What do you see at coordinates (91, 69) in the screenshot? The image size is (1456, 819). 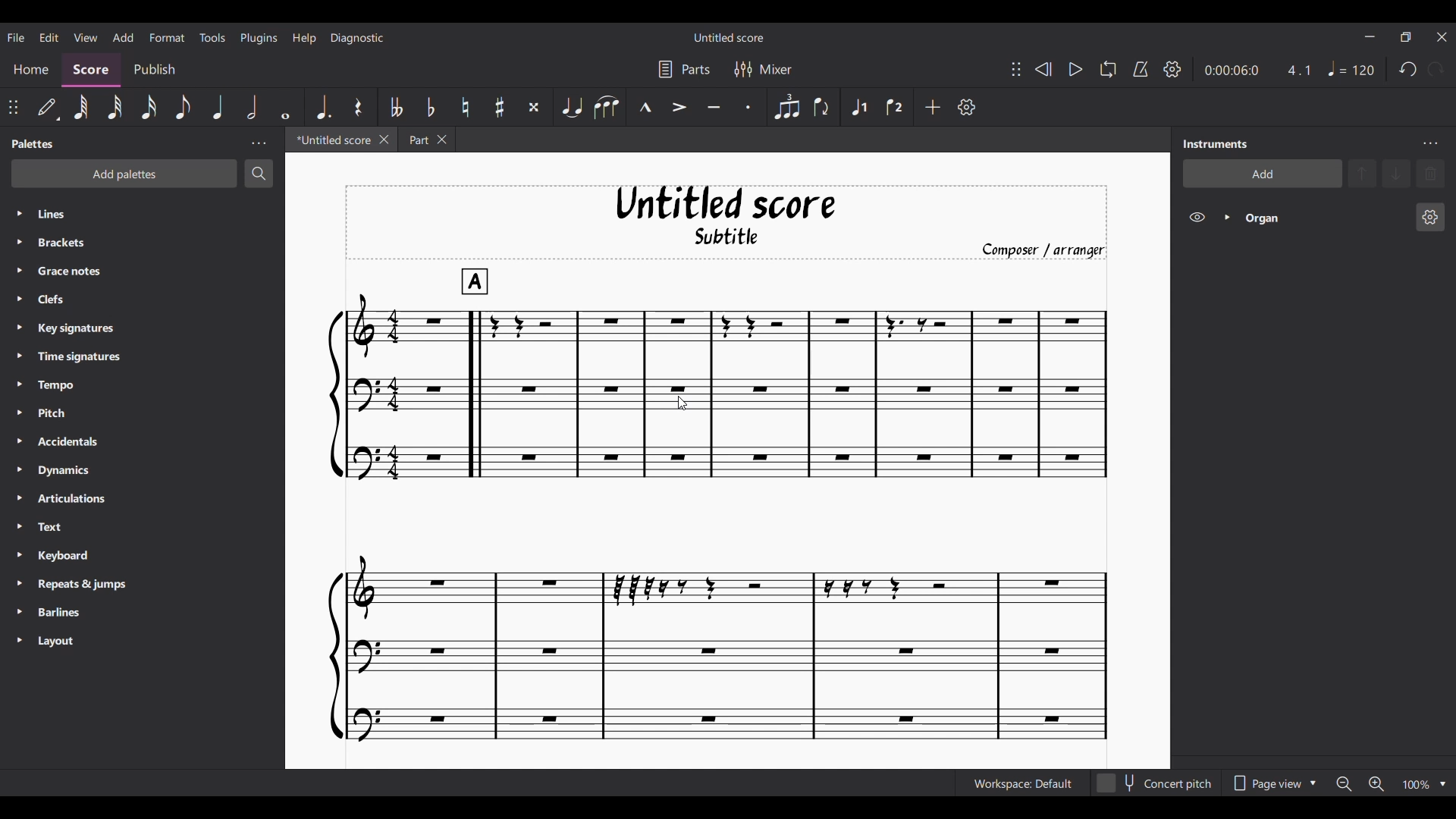 I see `Score section, current selection, highlighted` at bounding box center [91, 69].